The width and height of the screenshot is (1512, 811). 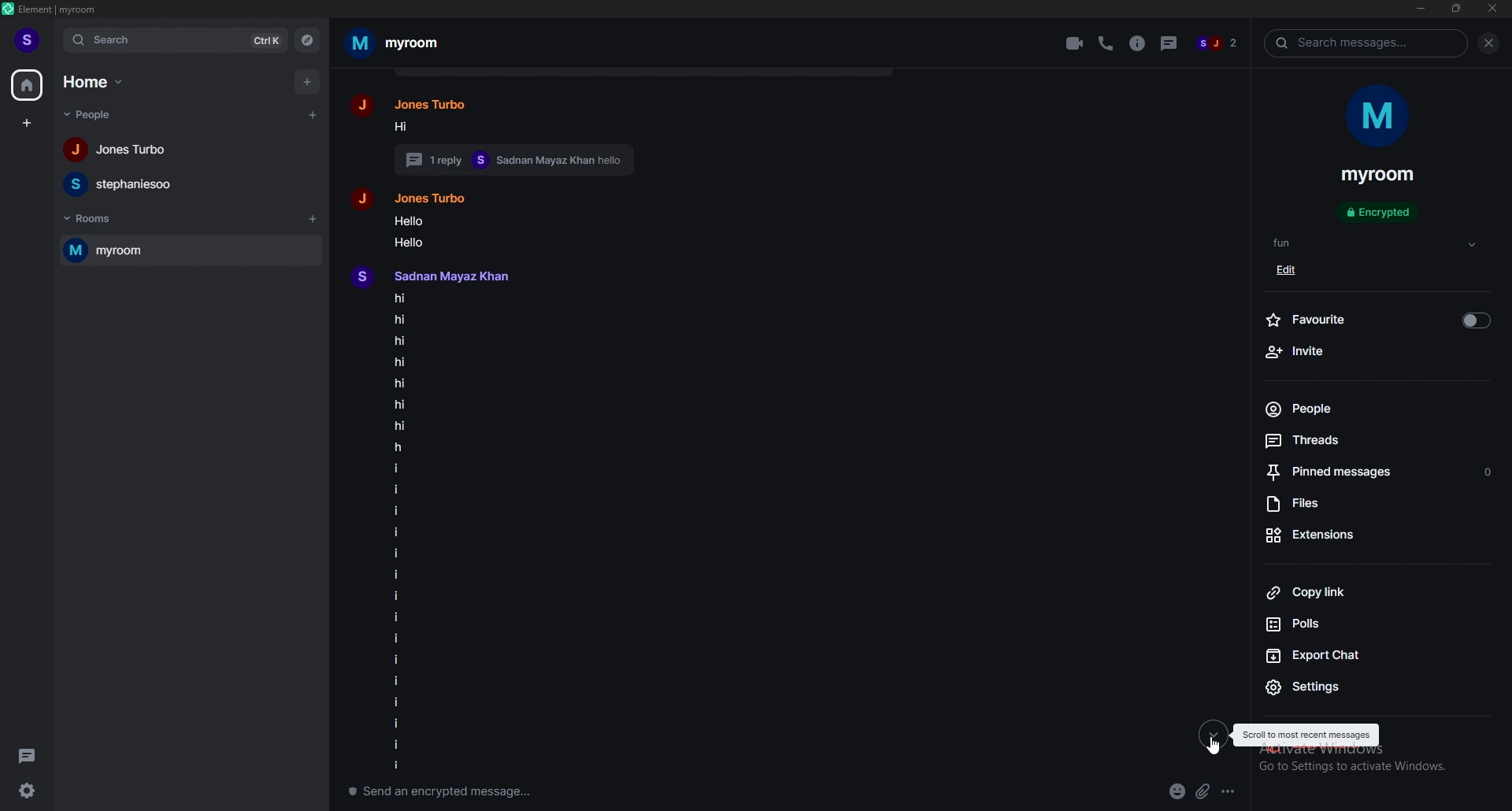 I want to click on export chat, so click(x=1352, y=655).